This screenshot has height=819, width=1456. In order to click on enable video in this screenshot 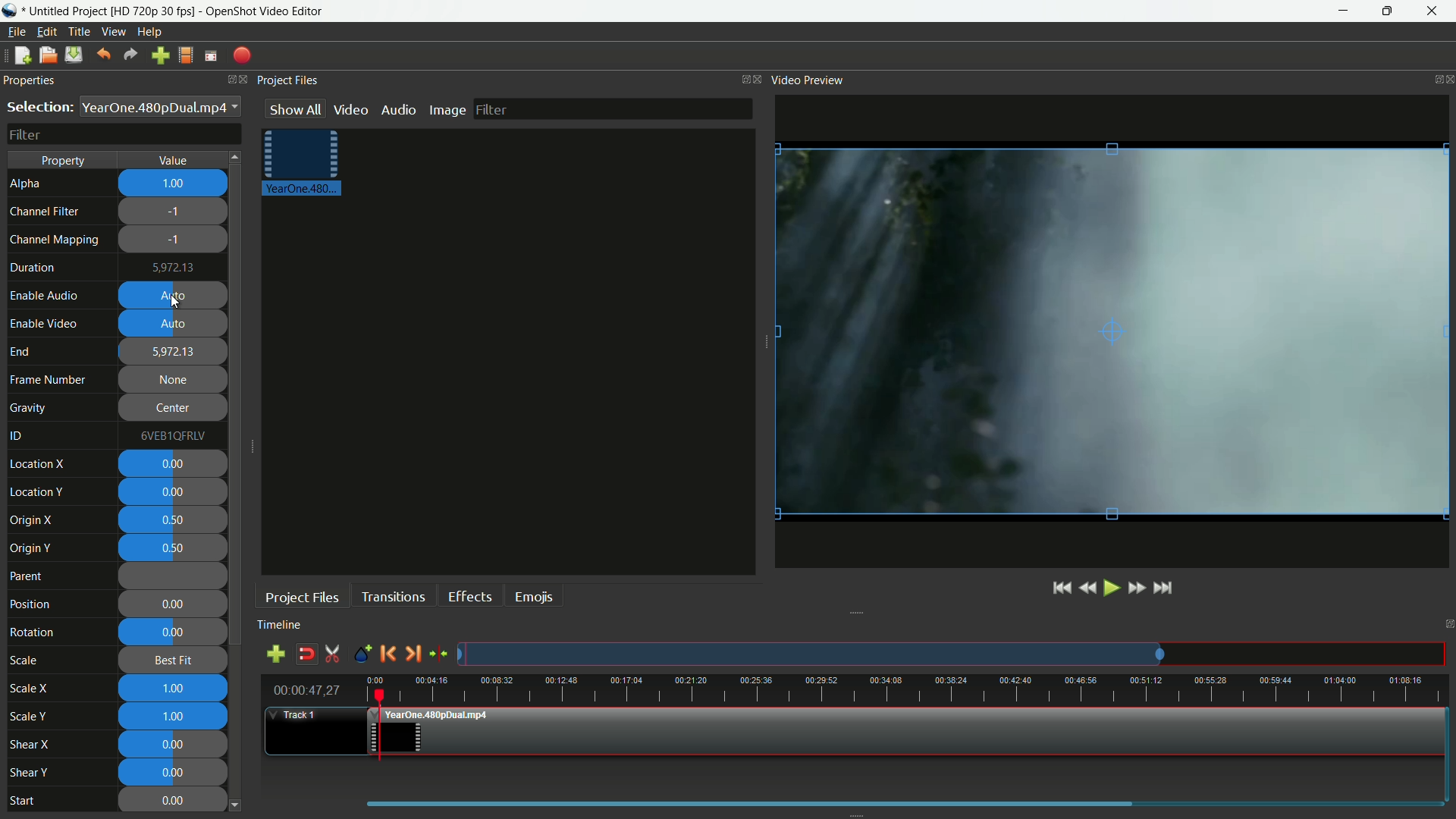, I will do `click(44, 324)`.